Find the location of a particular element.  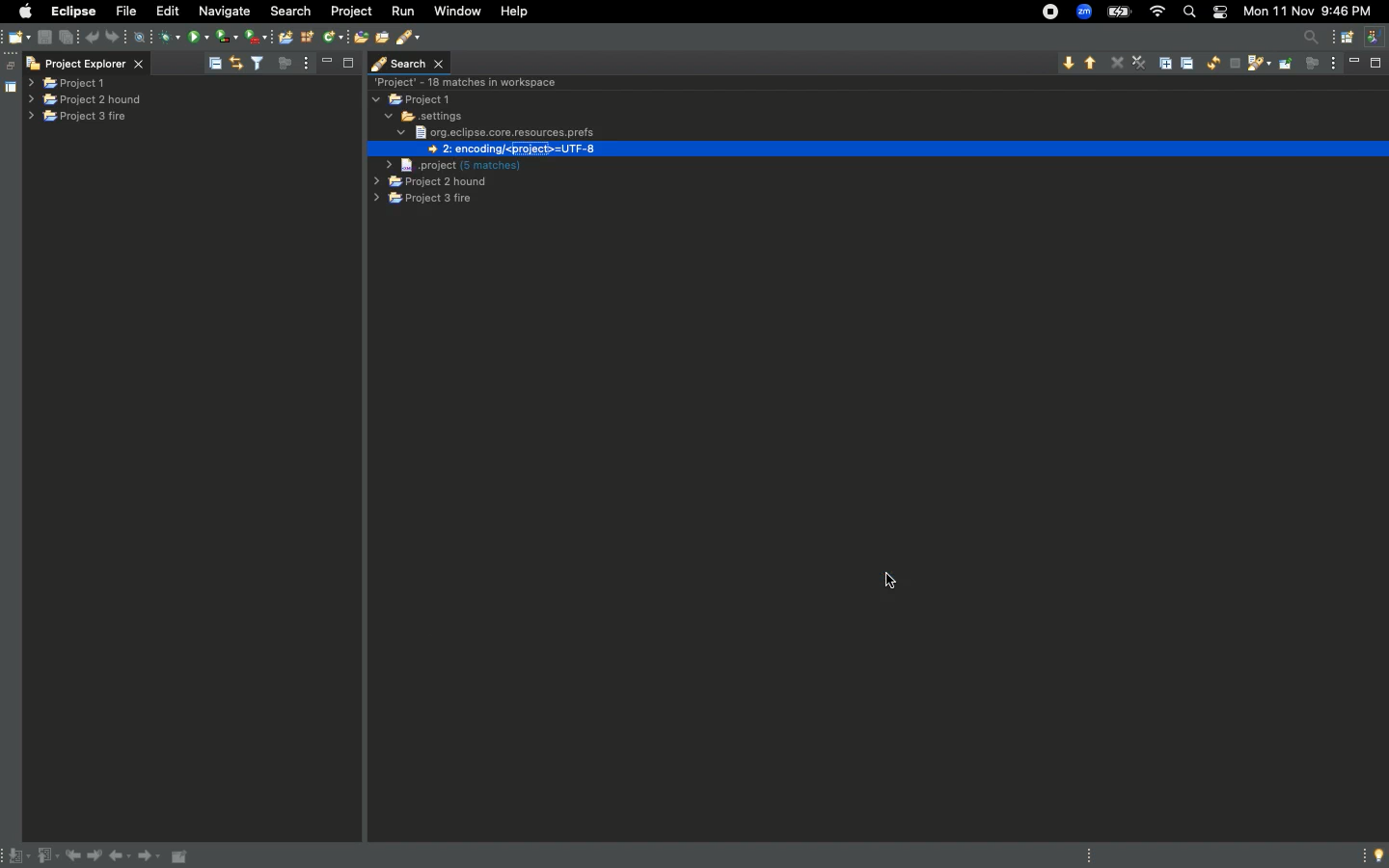

minimise is located at coordinates (1356, 65).